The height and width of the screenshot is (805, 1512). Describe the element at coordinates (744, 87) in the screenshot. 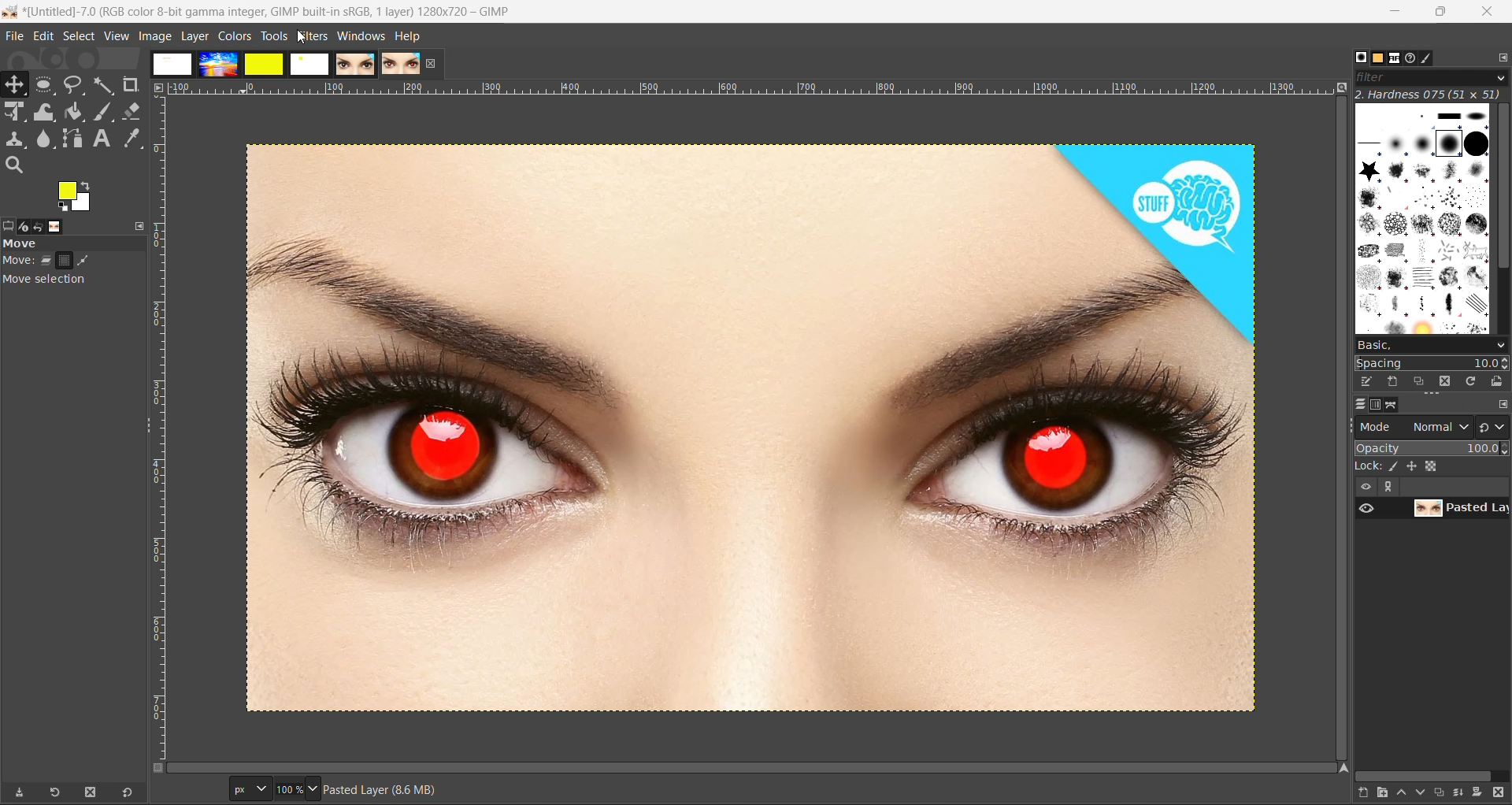

I see `ruler` at that location.